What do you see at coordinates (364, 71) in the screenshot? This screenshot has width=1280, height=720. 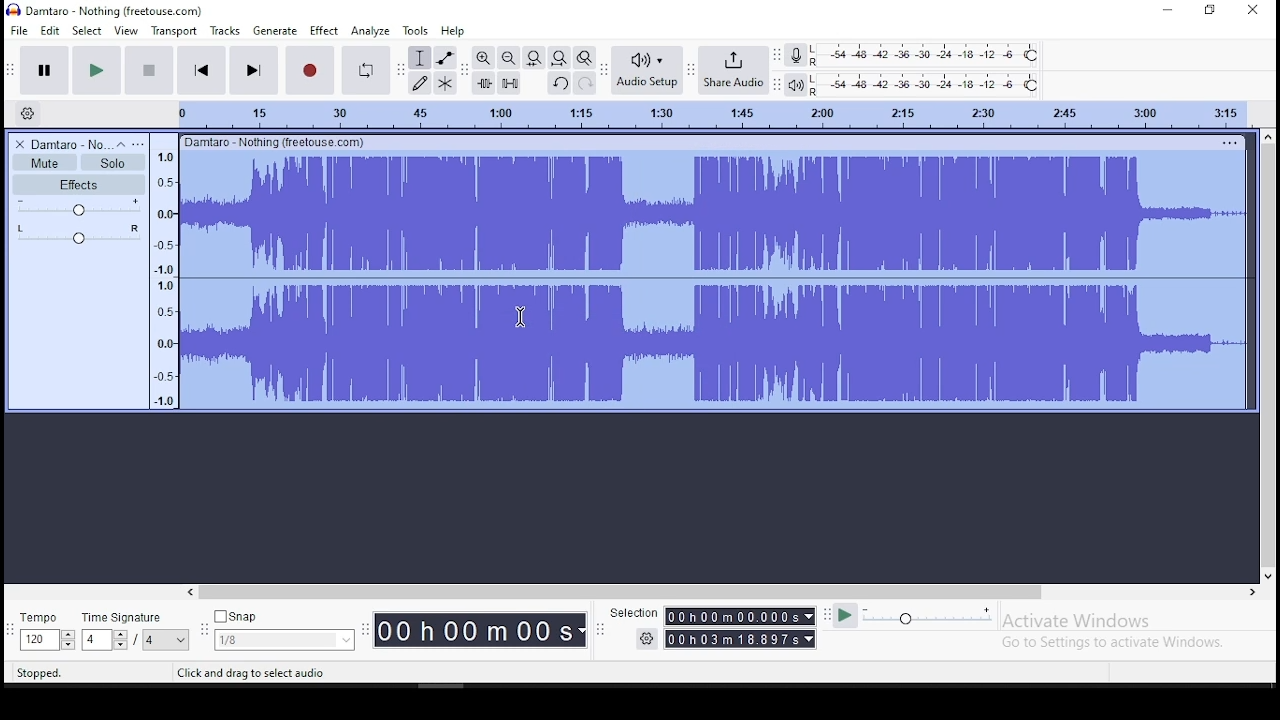 I see `enable looping` at bounding box center [364, 71].